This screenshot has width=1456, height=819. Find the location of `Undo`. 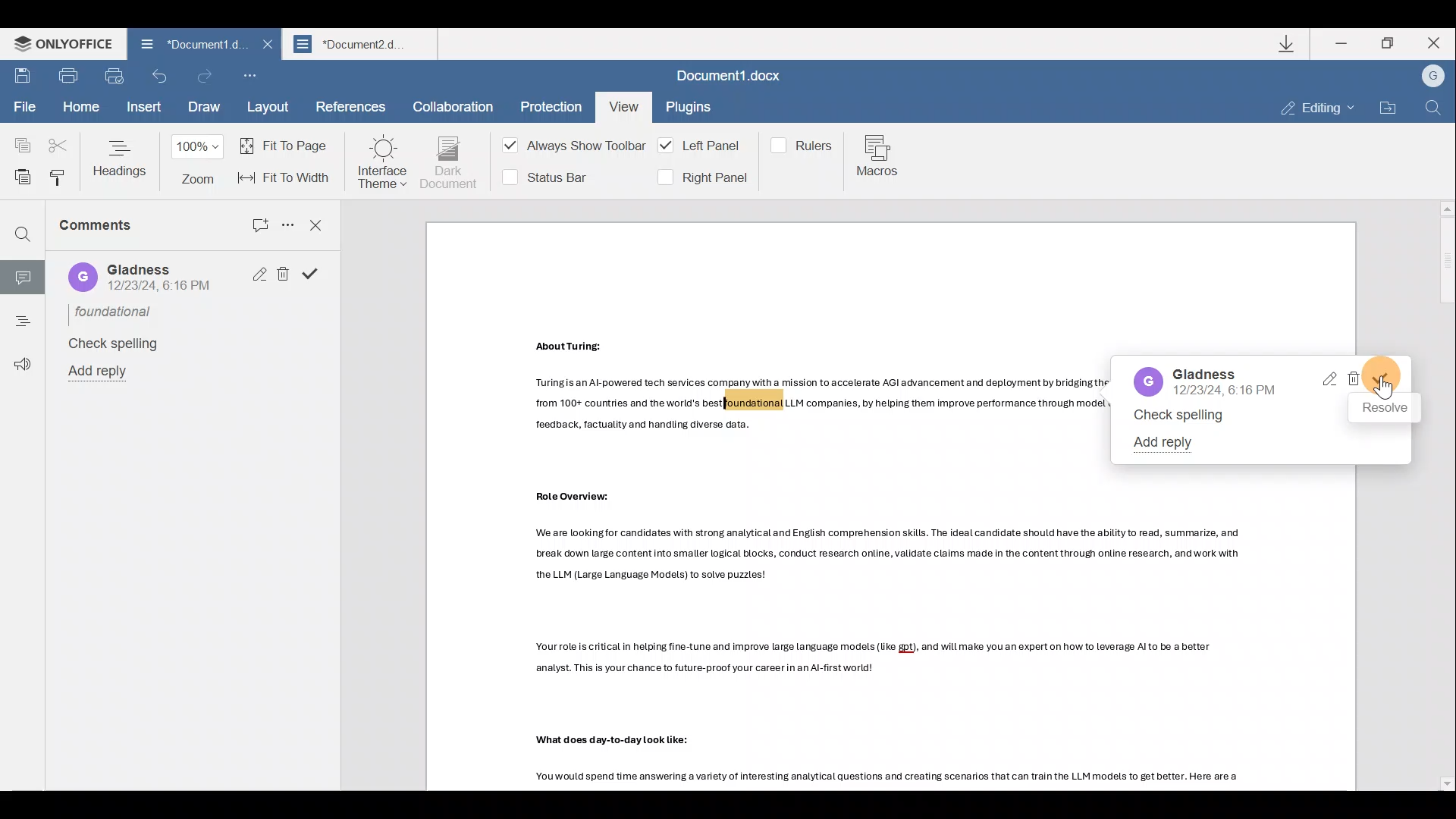

Undo is located at coordinates (161, 80).